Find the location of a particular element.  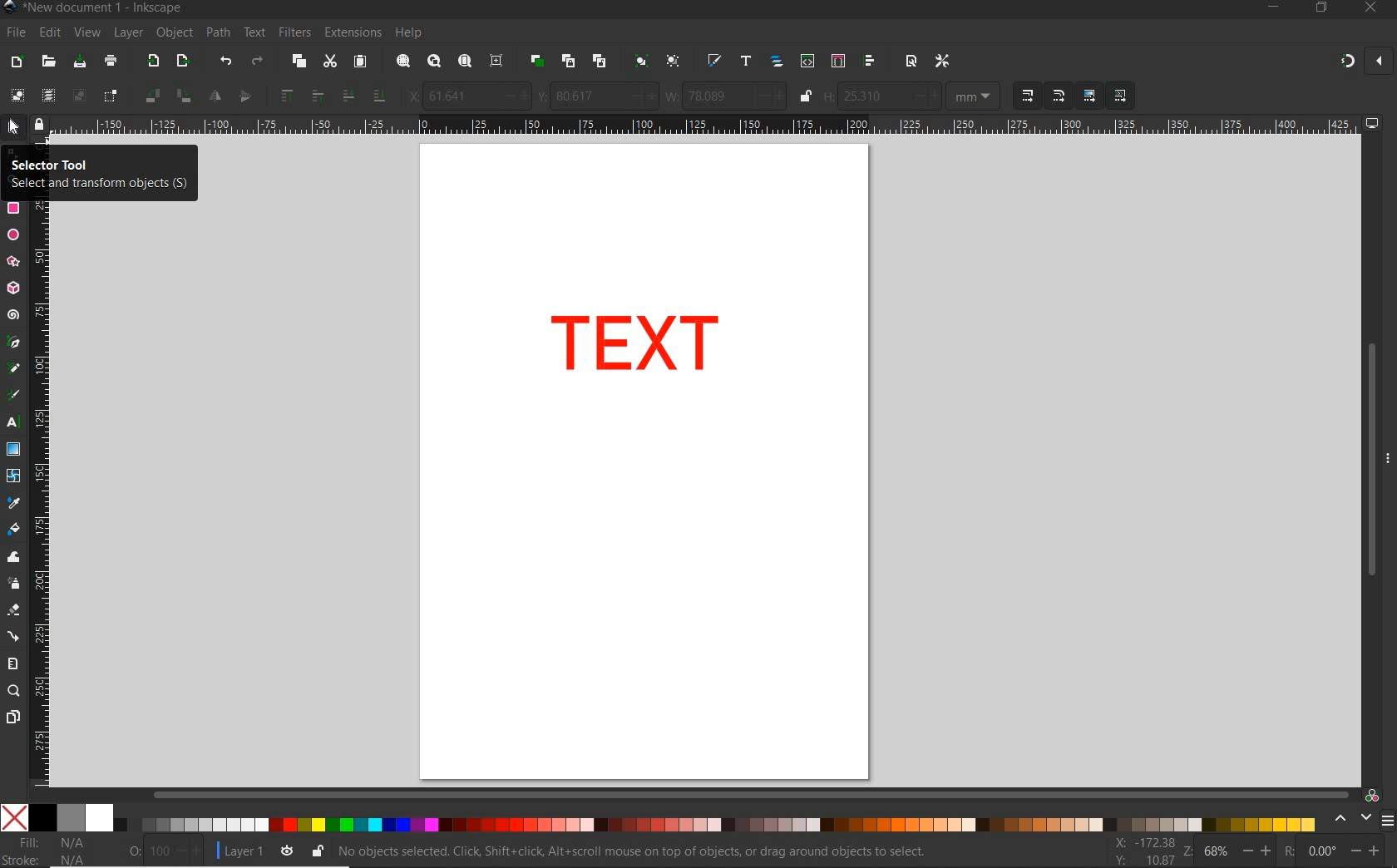

dropper is located at coordinates (14, 503).